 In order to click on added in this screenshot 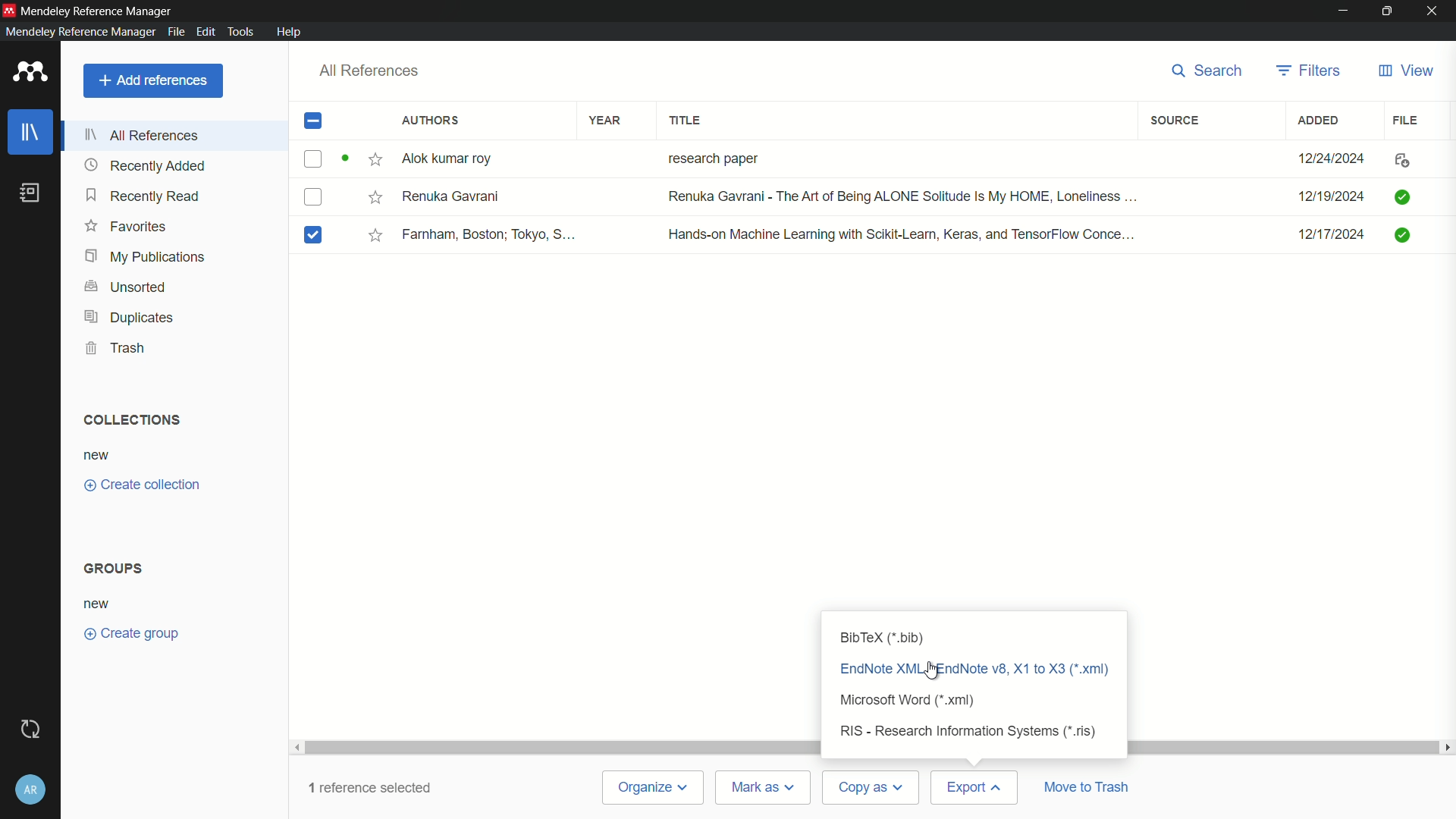, I will do `click(1319, 121)`.